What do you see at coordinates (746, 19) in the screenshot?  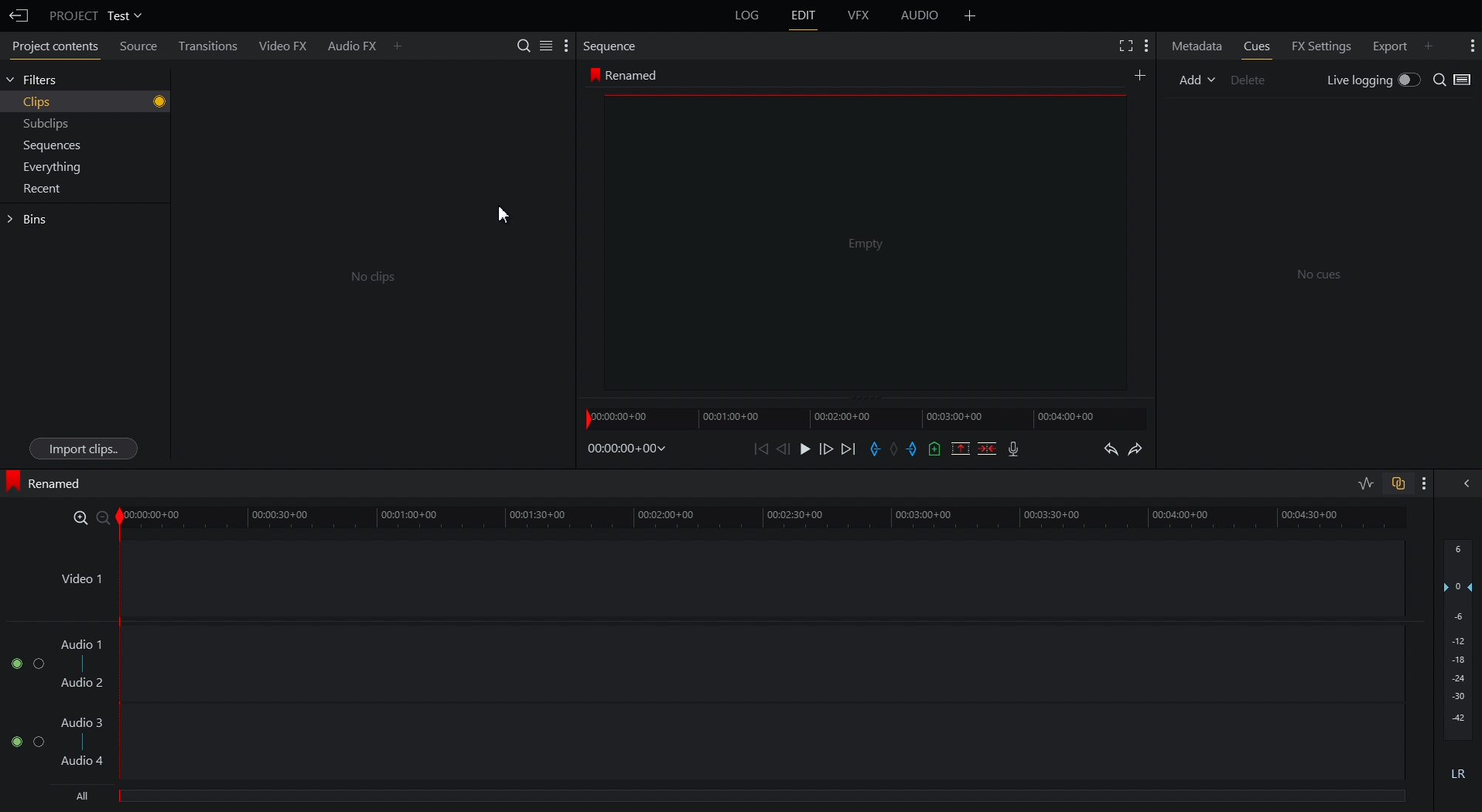 I see `Log` at bounding box center [746, 19].